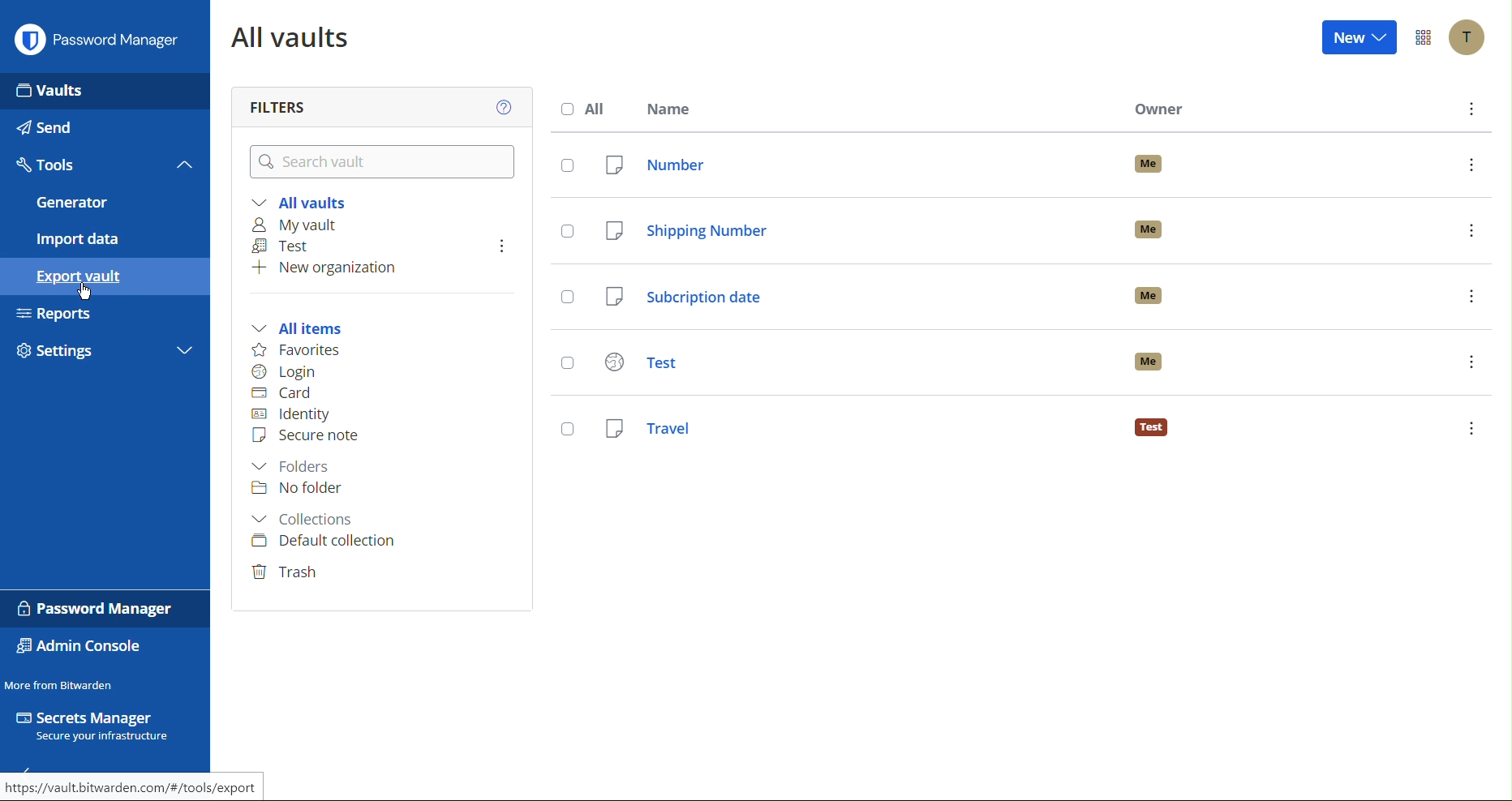 The height and width of the screenshot is (801, 1512). I want to click on Password Manager, so click(97, 607).